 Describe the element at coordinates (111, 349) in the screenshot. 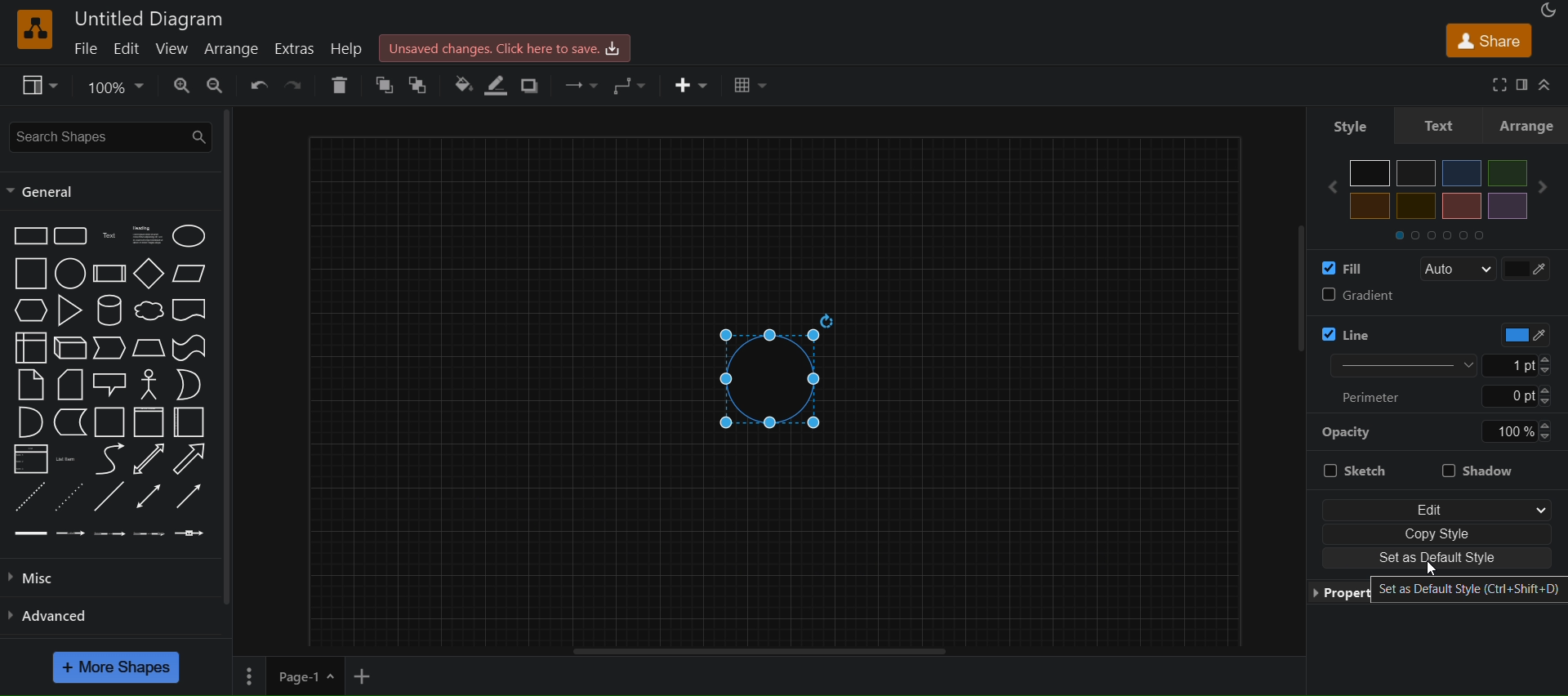

I see `step` at that location.